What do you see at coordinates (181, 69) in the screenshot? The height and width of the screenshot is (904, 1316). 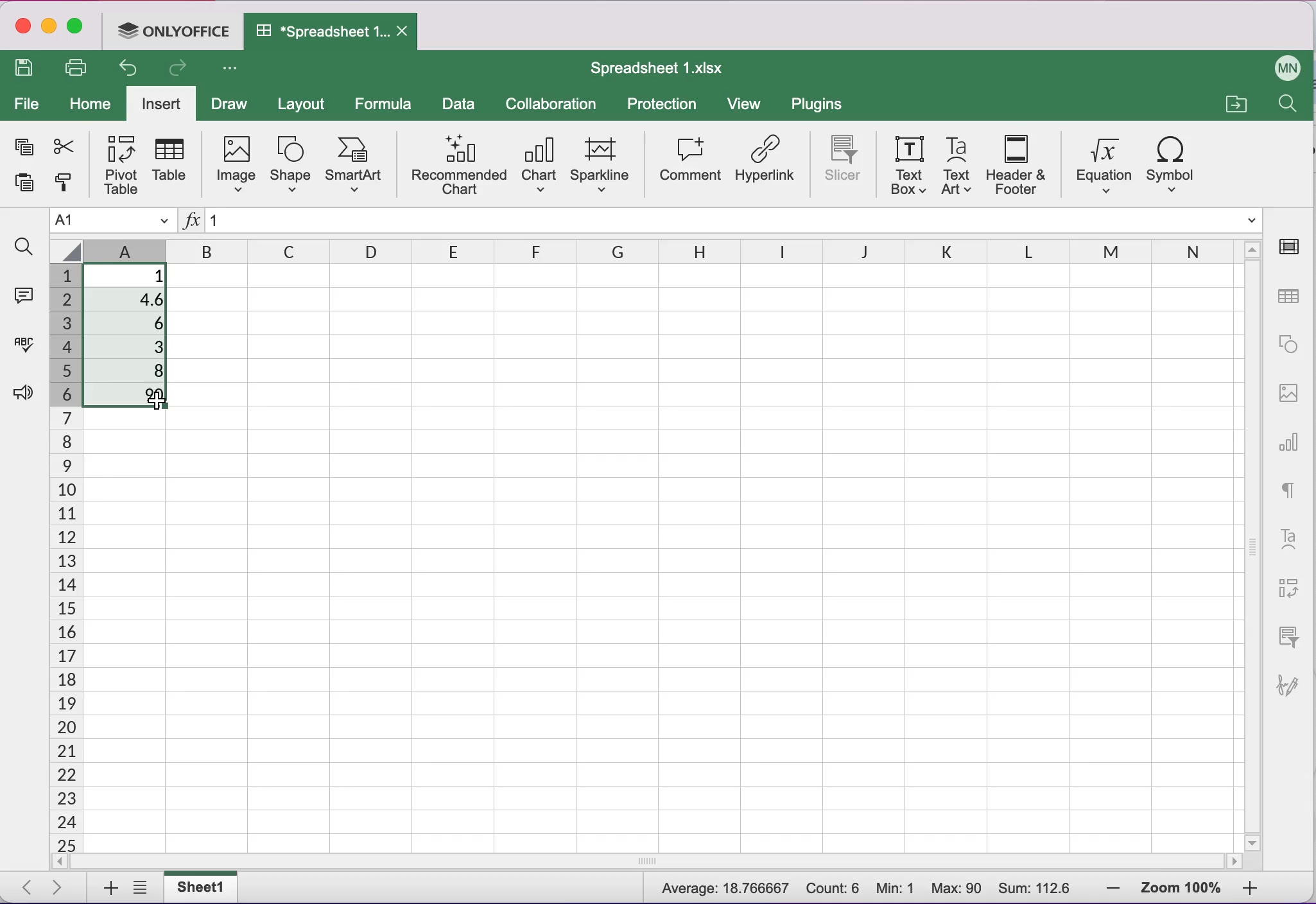 I see `redo` at bounding box center [181, 69].